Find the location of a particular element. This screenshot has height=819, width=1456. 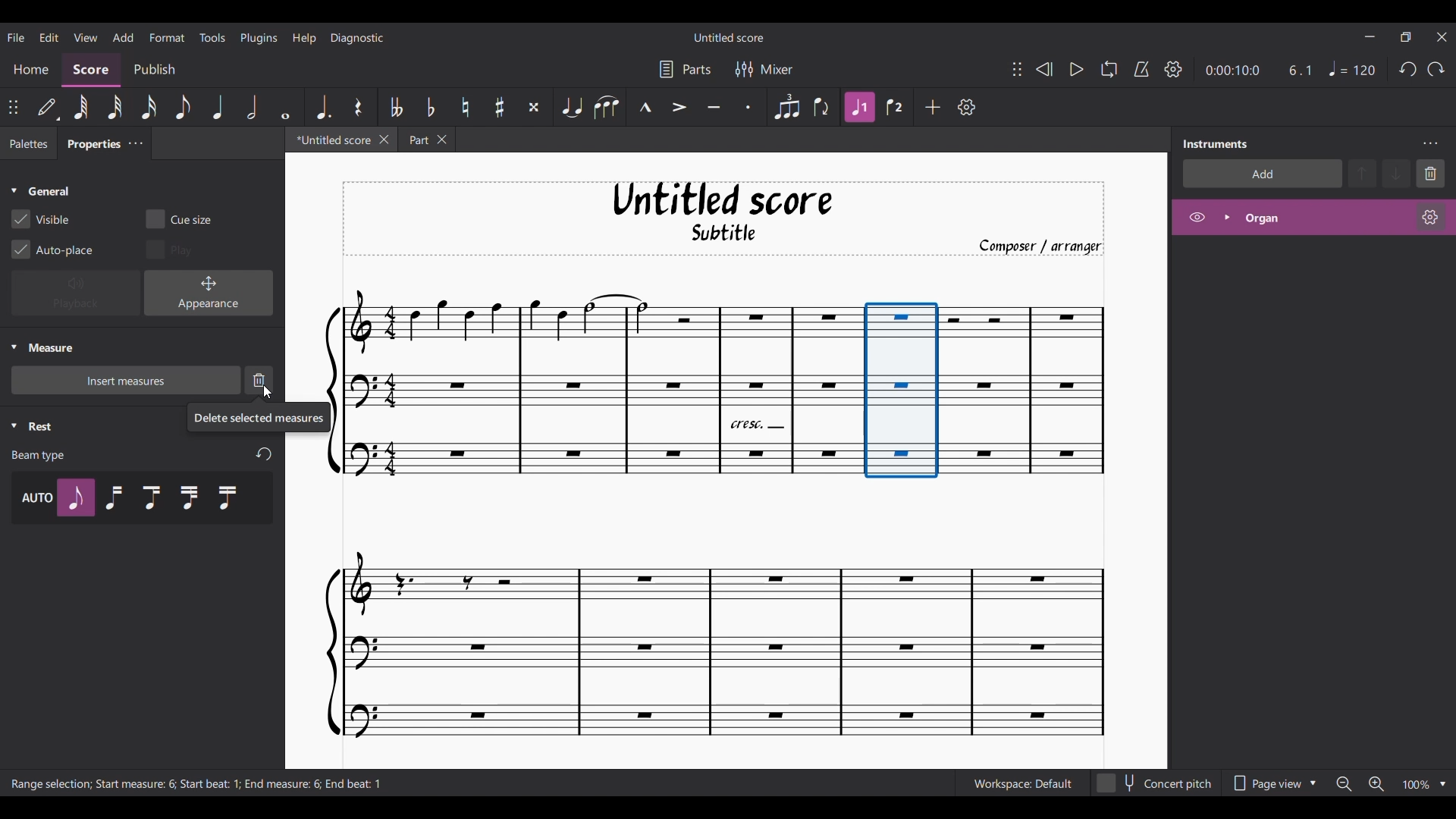

Current ratio and duration  is located at coordinates (1260, 71).